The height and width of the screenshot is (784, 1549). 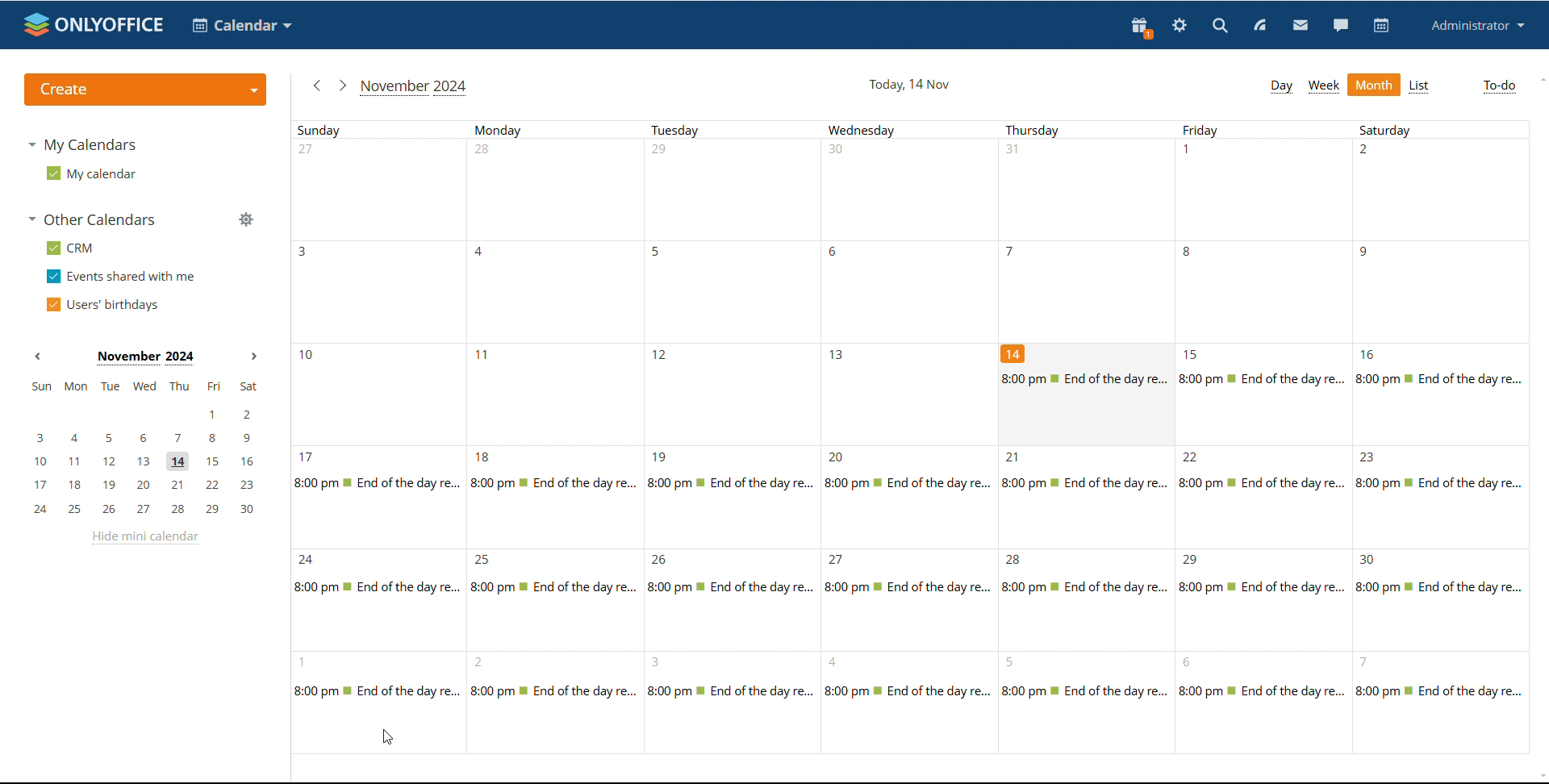 I want to click on Saturdays, so click(x=1440, y=382).